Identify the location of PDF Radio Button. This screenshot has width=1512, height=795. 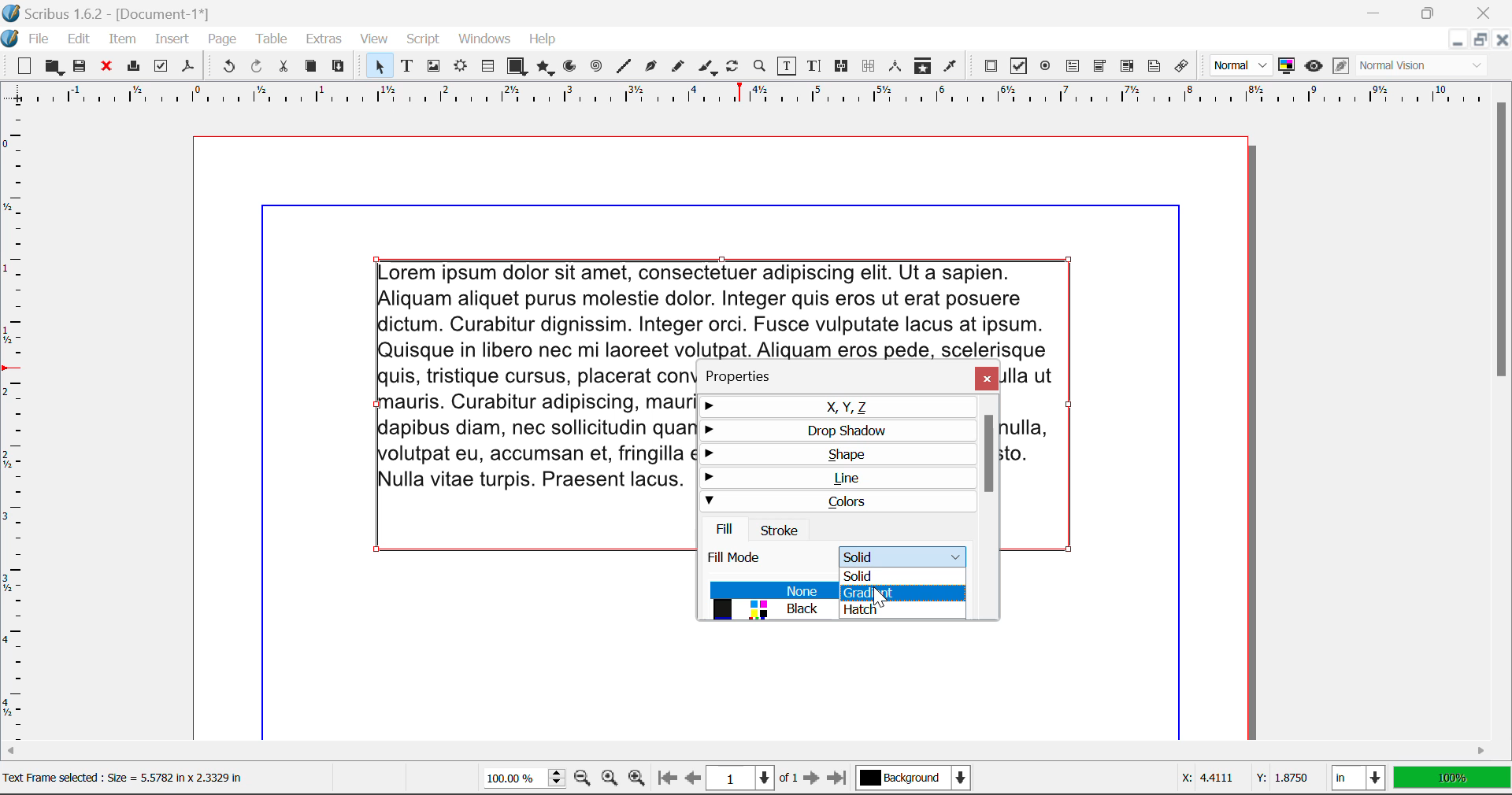
(1045, 68).